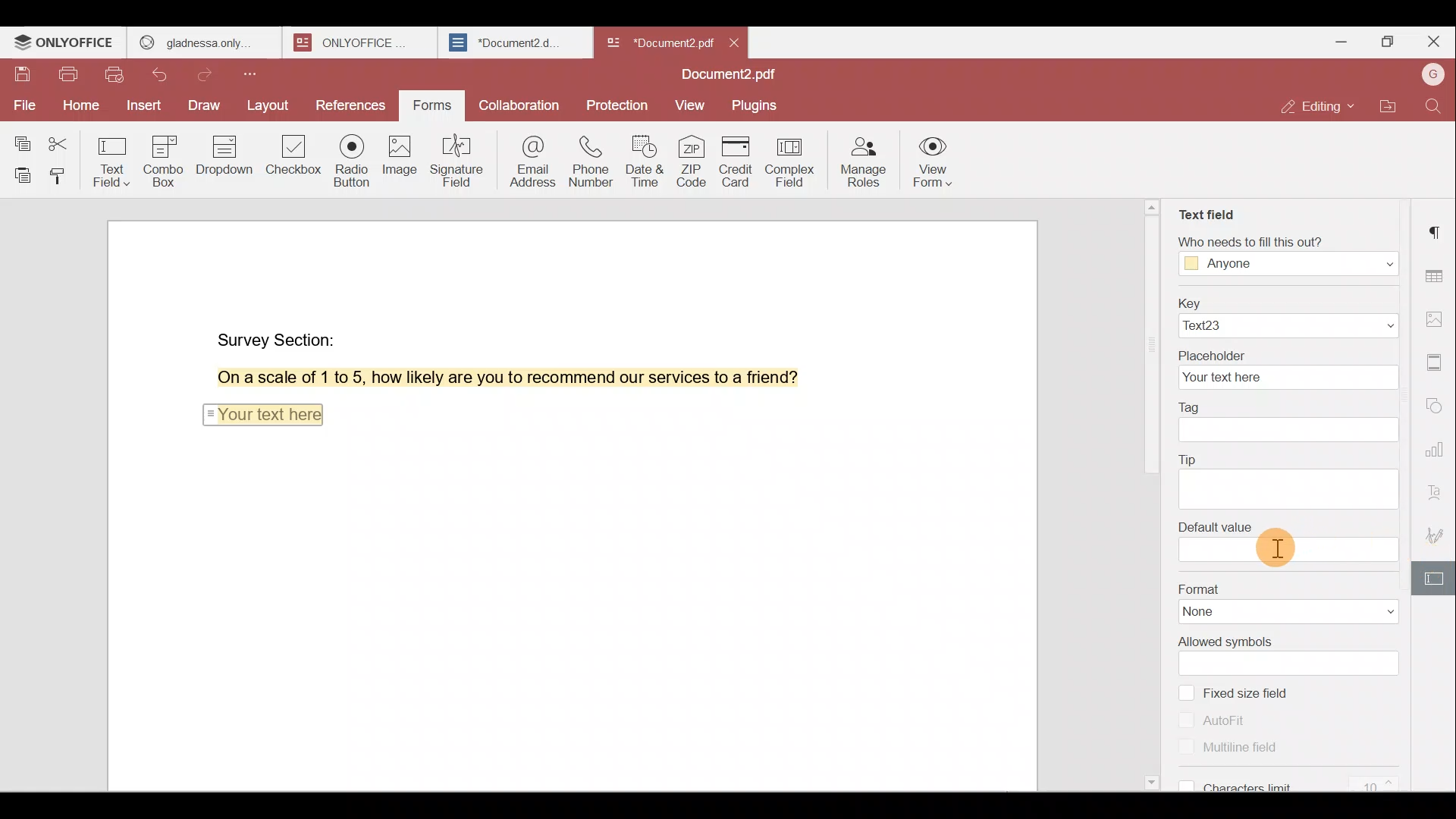 The width and height of the screenshot is (1456, 819). I want to click on Signature field, so click(454, 160).